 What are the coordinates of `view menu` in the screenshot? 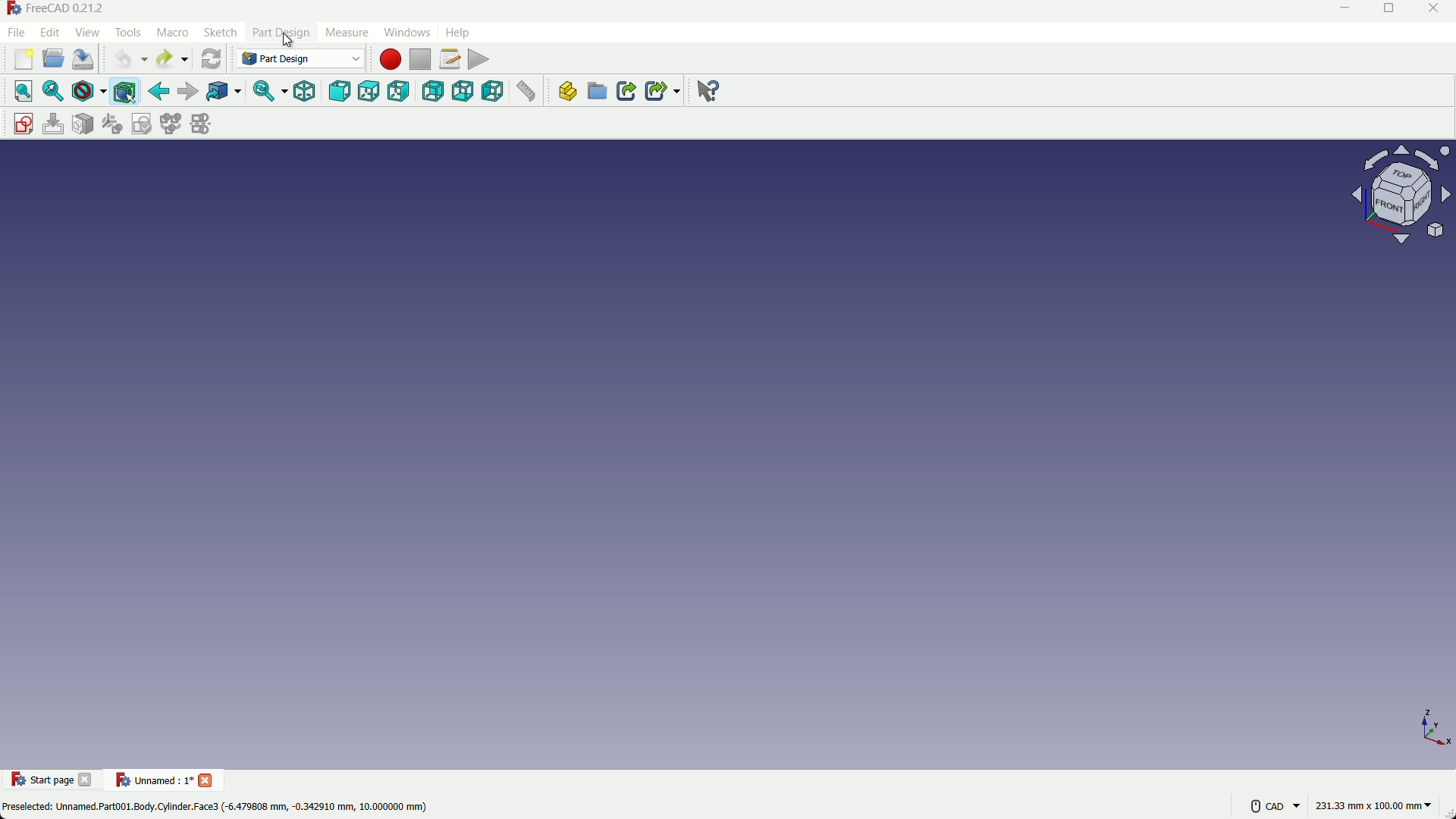 It's located at (87, 31).